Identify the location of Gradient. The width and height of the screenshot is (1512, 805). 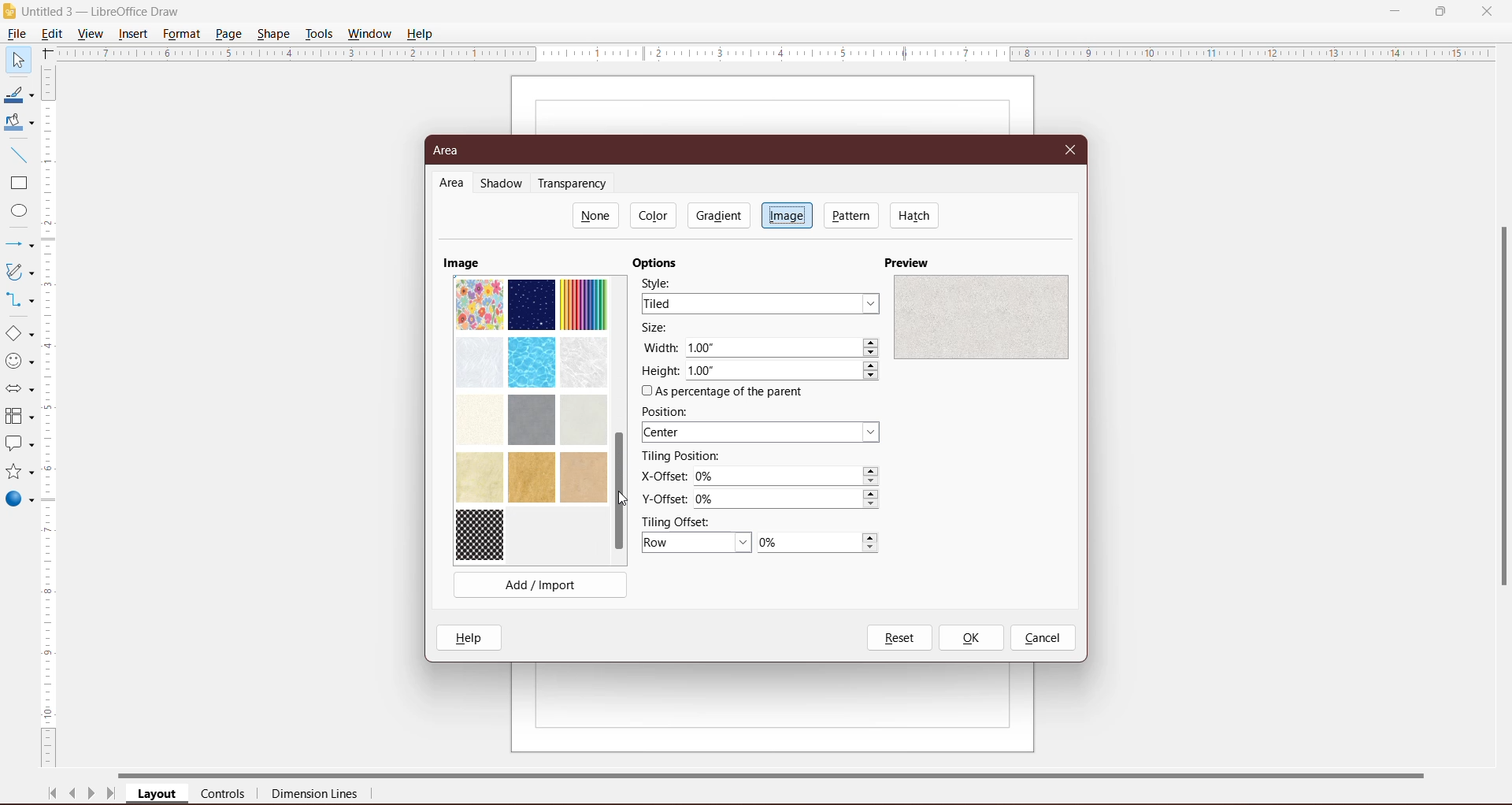
(717, 215).